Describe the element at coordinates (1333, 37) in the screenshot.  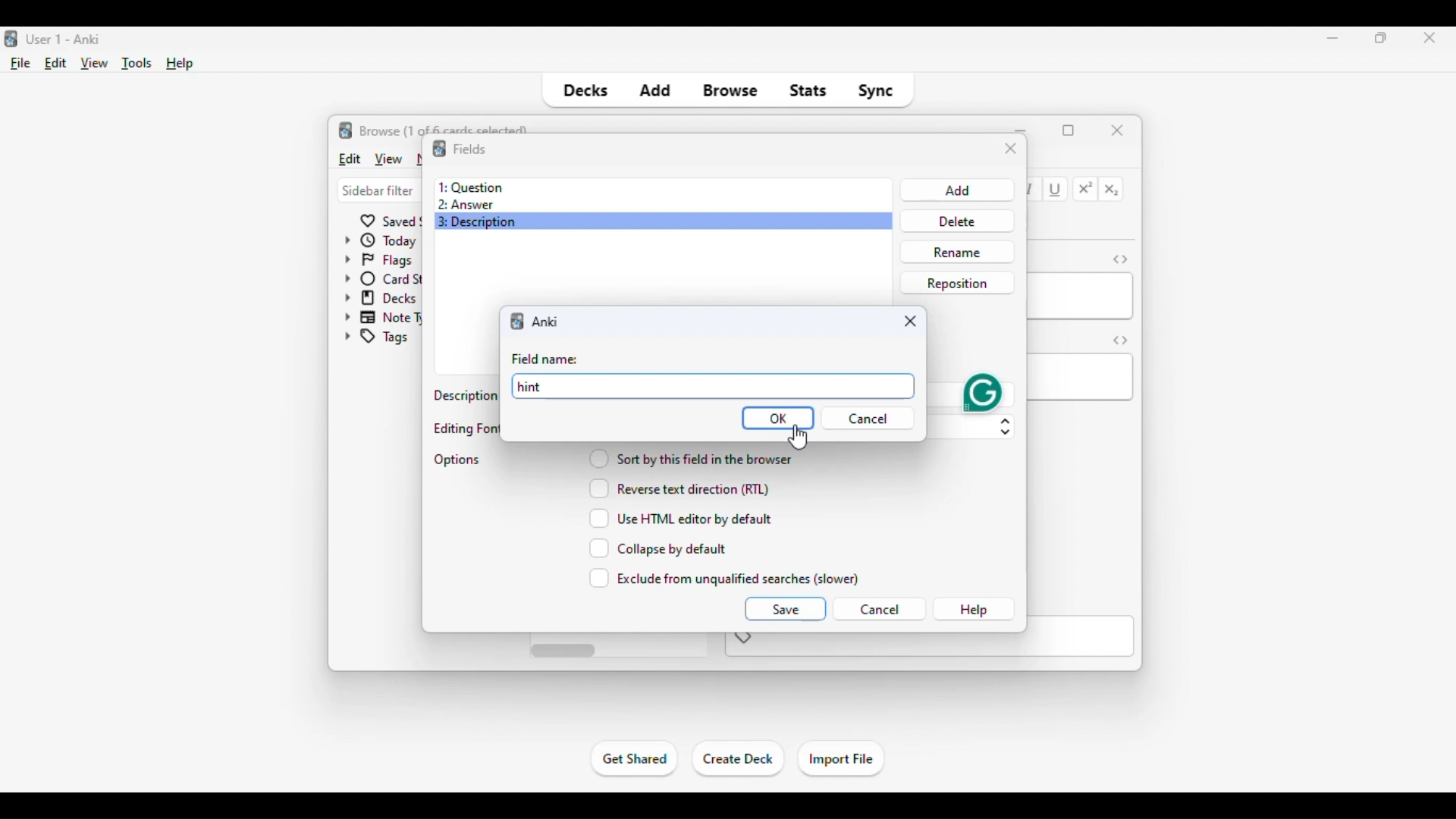
I see `minimize` at that location.